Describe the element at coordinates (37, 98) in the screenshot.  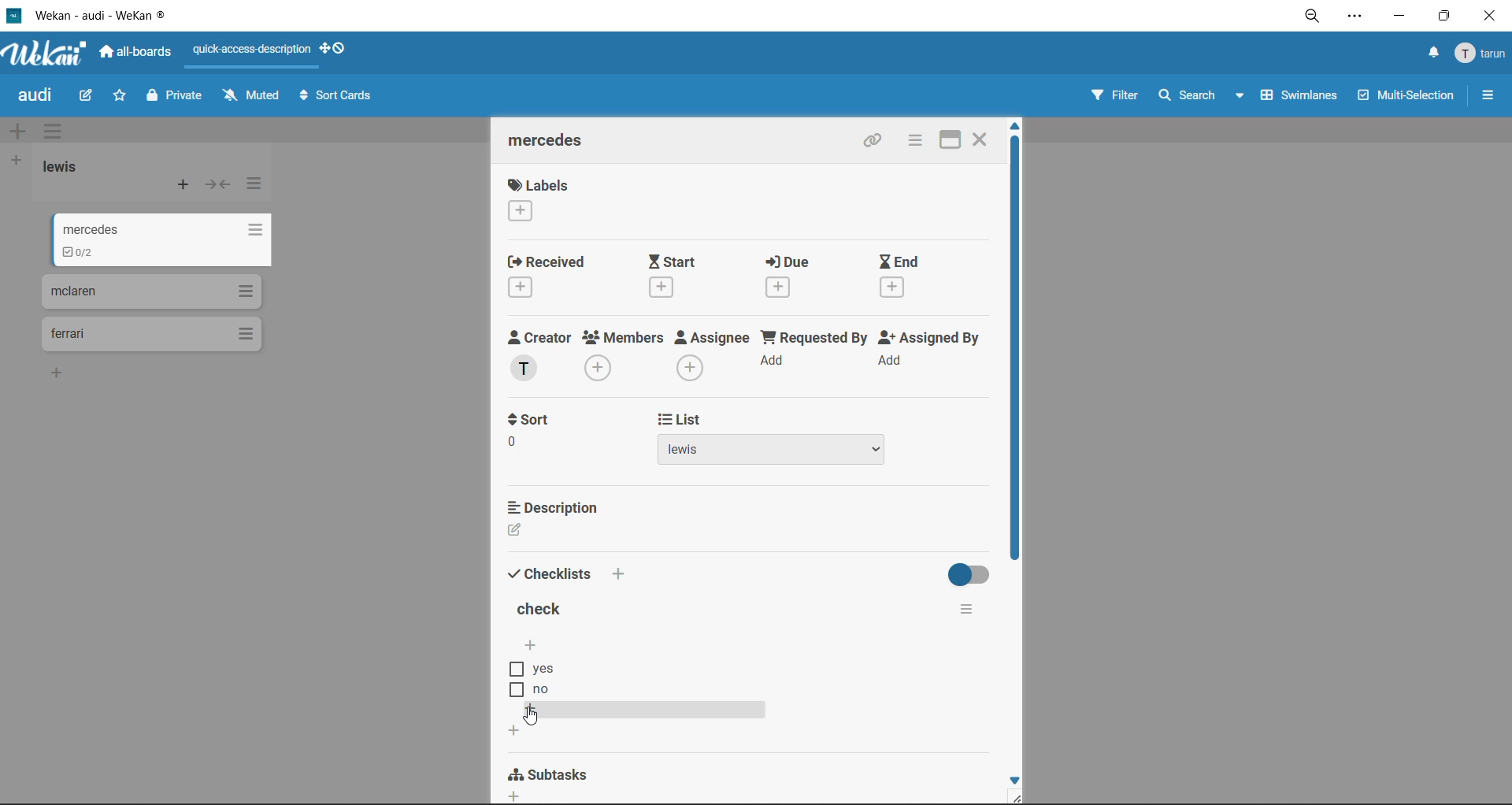
I see `audi` at that location.